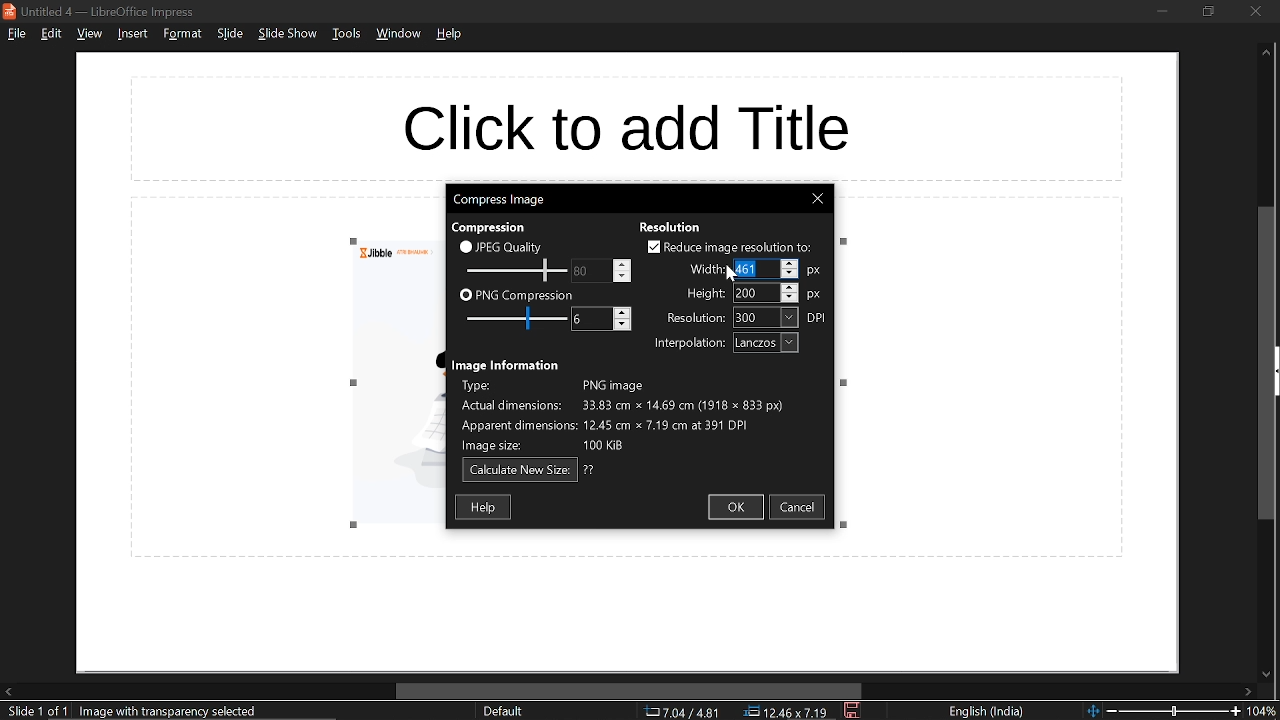 The height and width of the screenshot is (720, 1280). Describe the element at coordinates (623, 276) in the screenshot. I see `Decrease ` at that location.